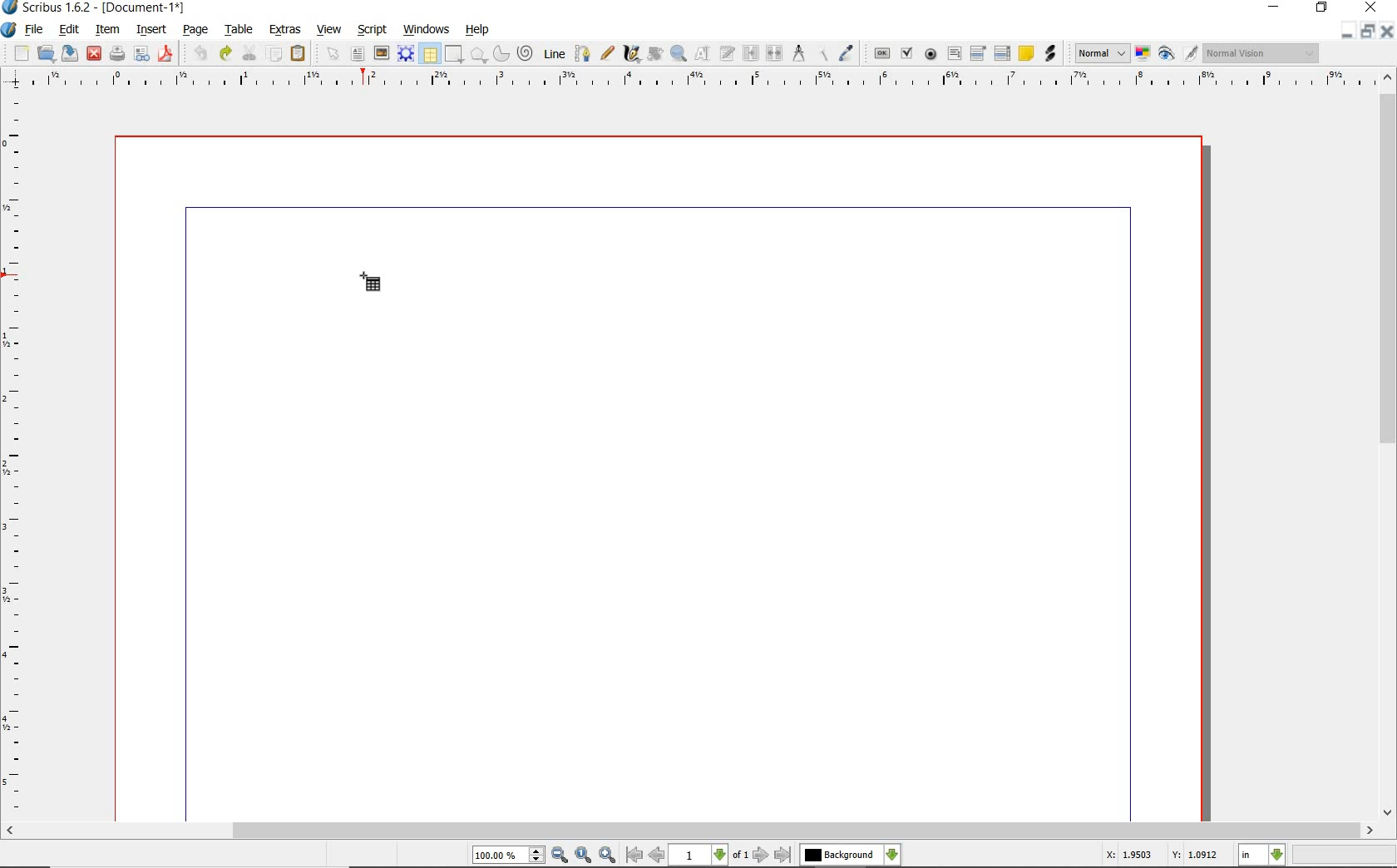 The height and width of the screenshot is (868, 1397). What do you see at coordinates (1167, 55) in the screenshot?
I see `preview mode` at bounding box center [1167, 55].